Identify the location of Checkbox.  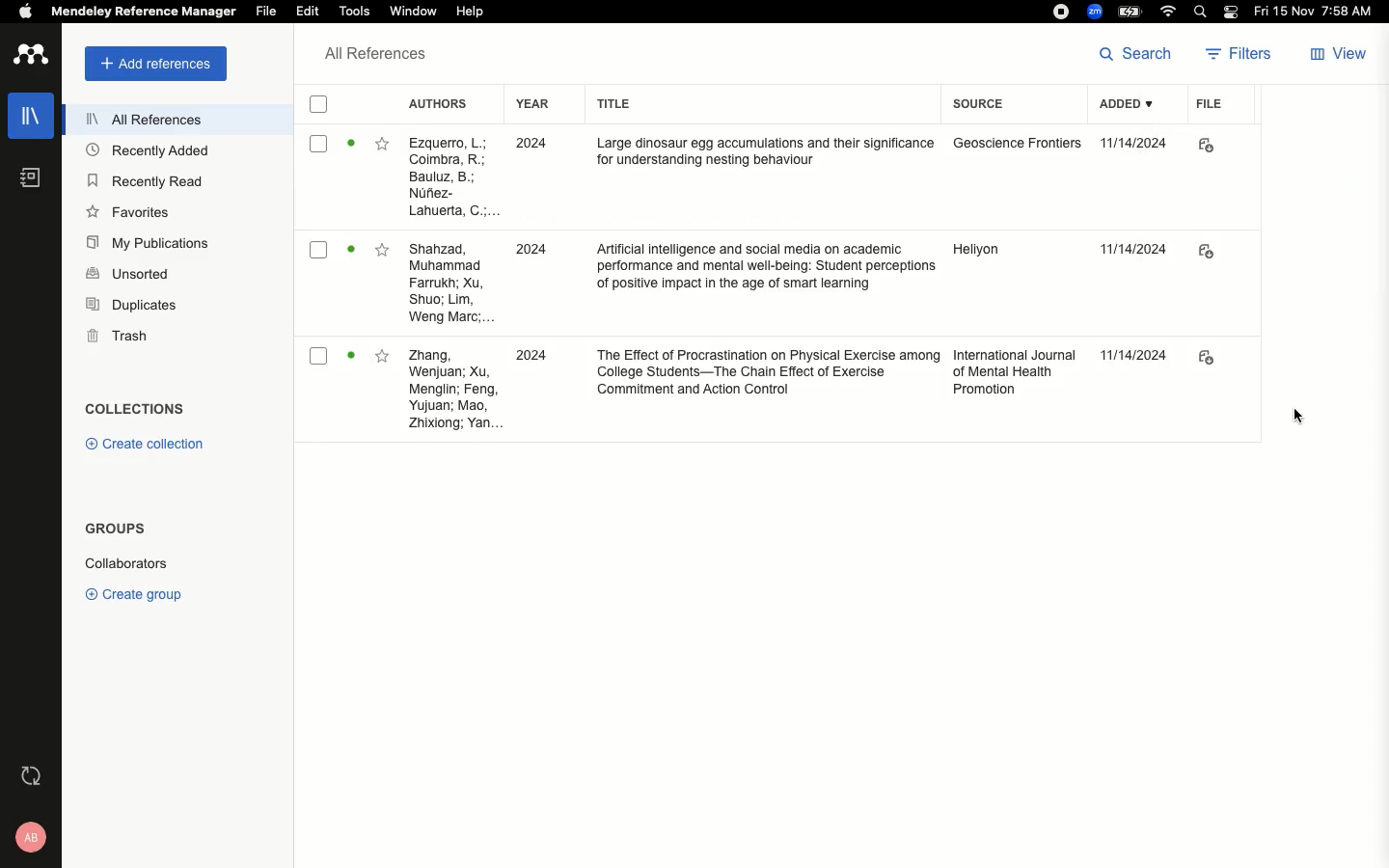
(319, 143).